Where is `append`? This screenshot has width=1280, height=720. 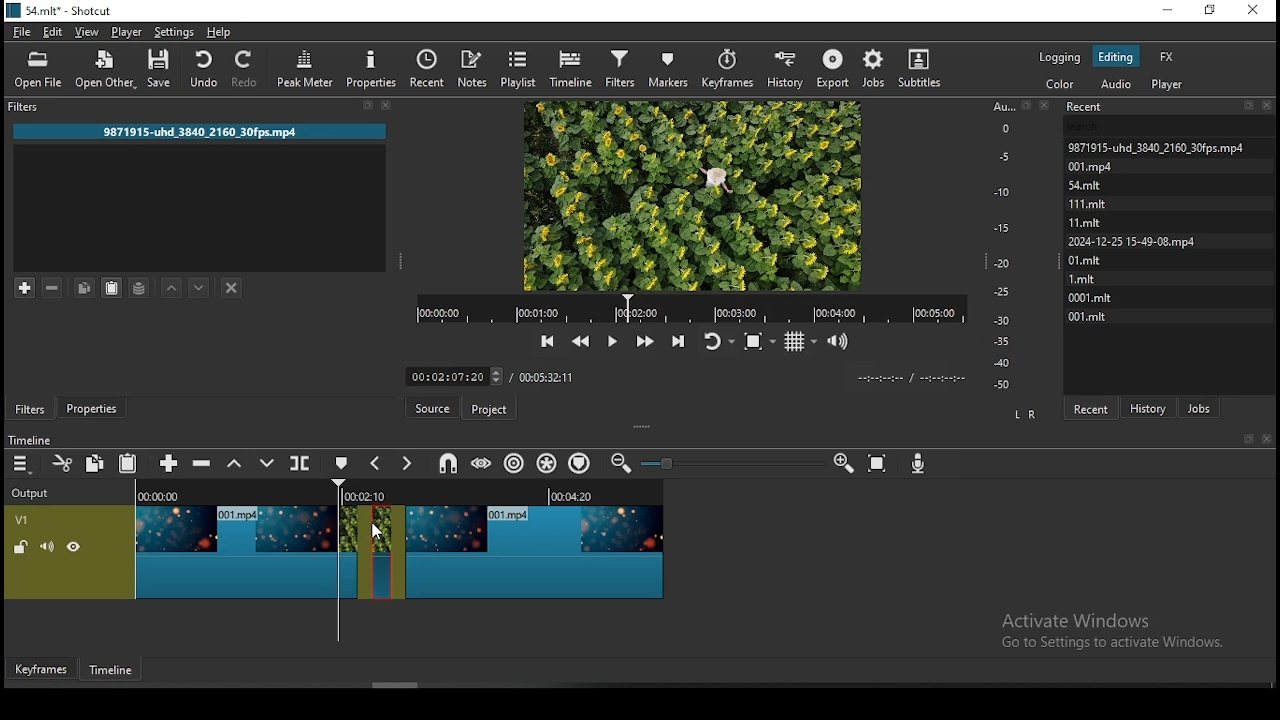
append is located at coordinates (169, 463).